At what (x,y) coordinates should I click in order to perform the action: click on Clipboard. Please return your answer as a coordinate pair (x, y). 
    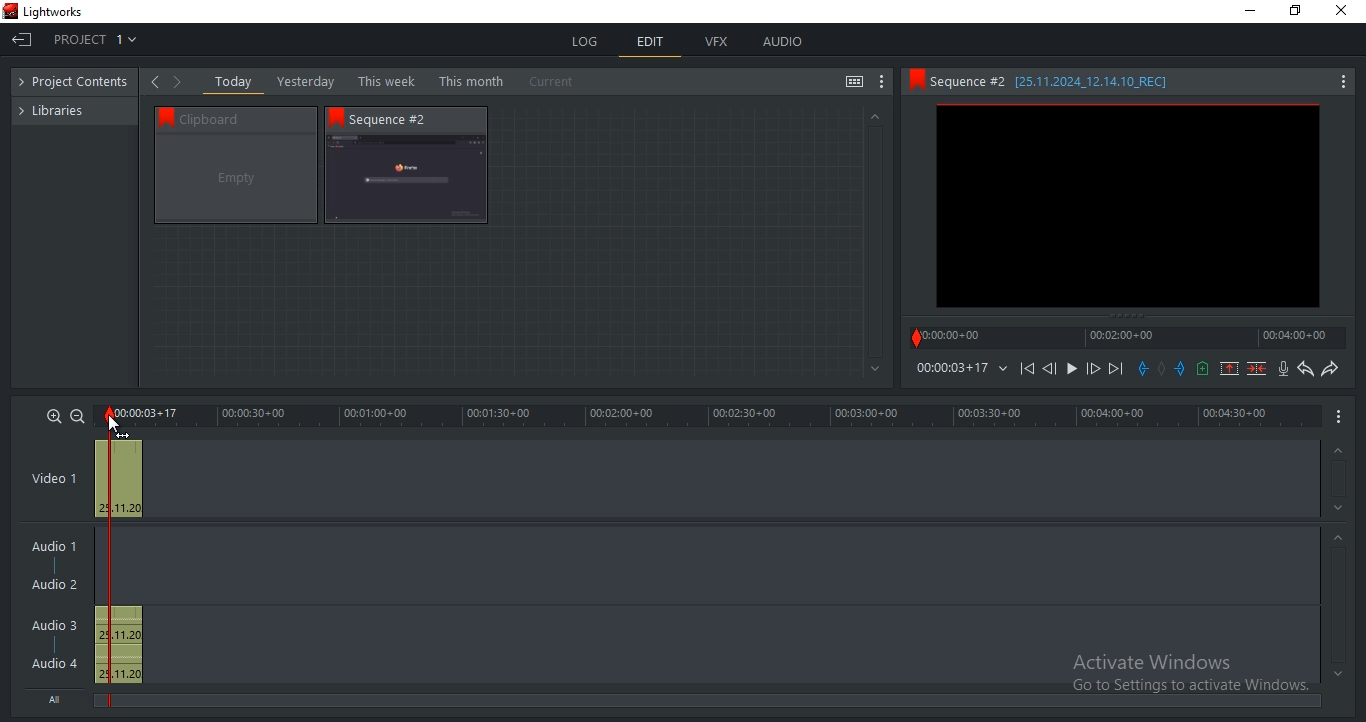
    Looking at the image, I should click on (245, 118).